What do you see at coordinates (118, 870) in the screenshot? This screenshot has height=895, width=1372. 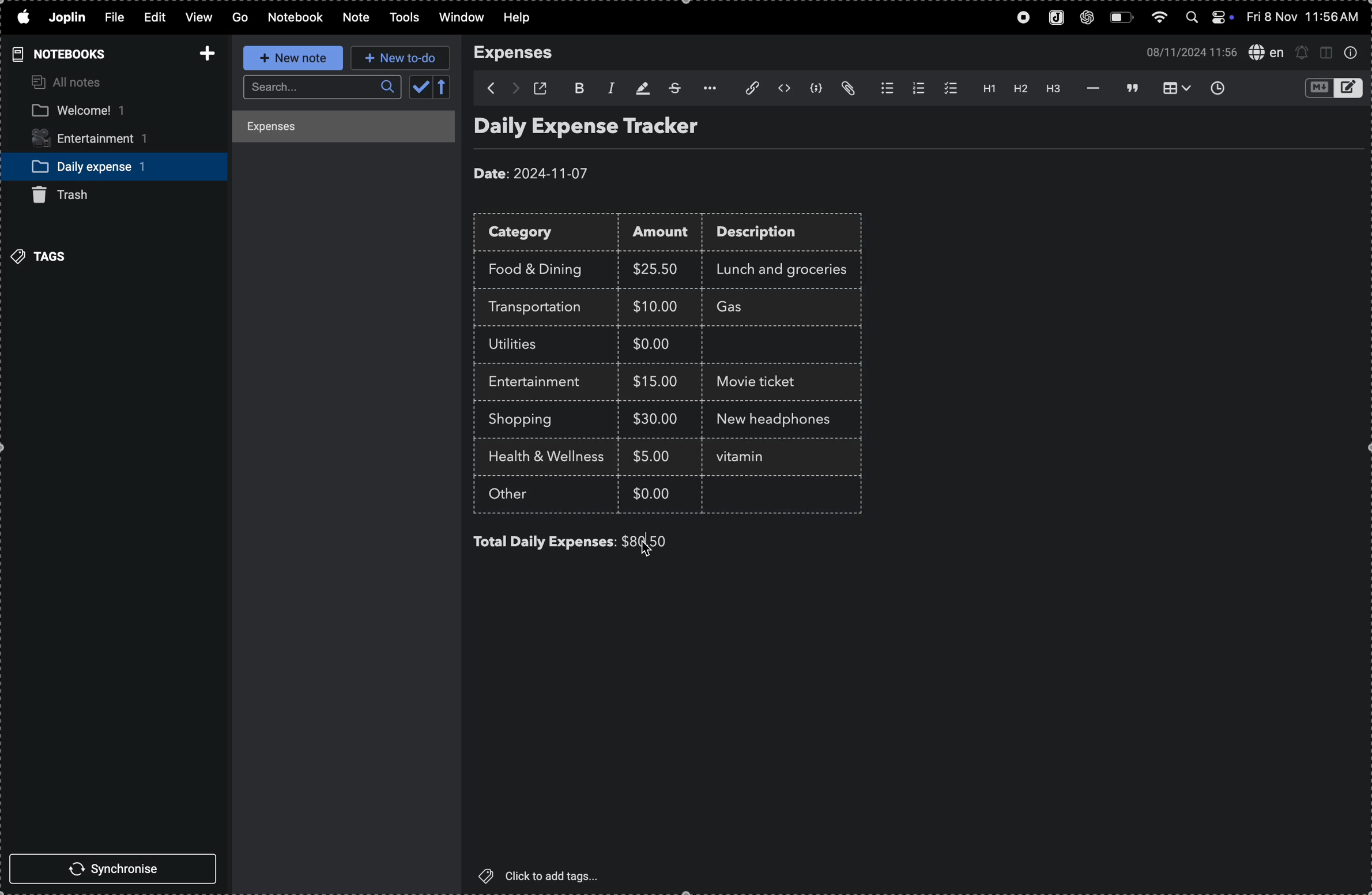 I see `synchronise` at bounding box center [118, 870].